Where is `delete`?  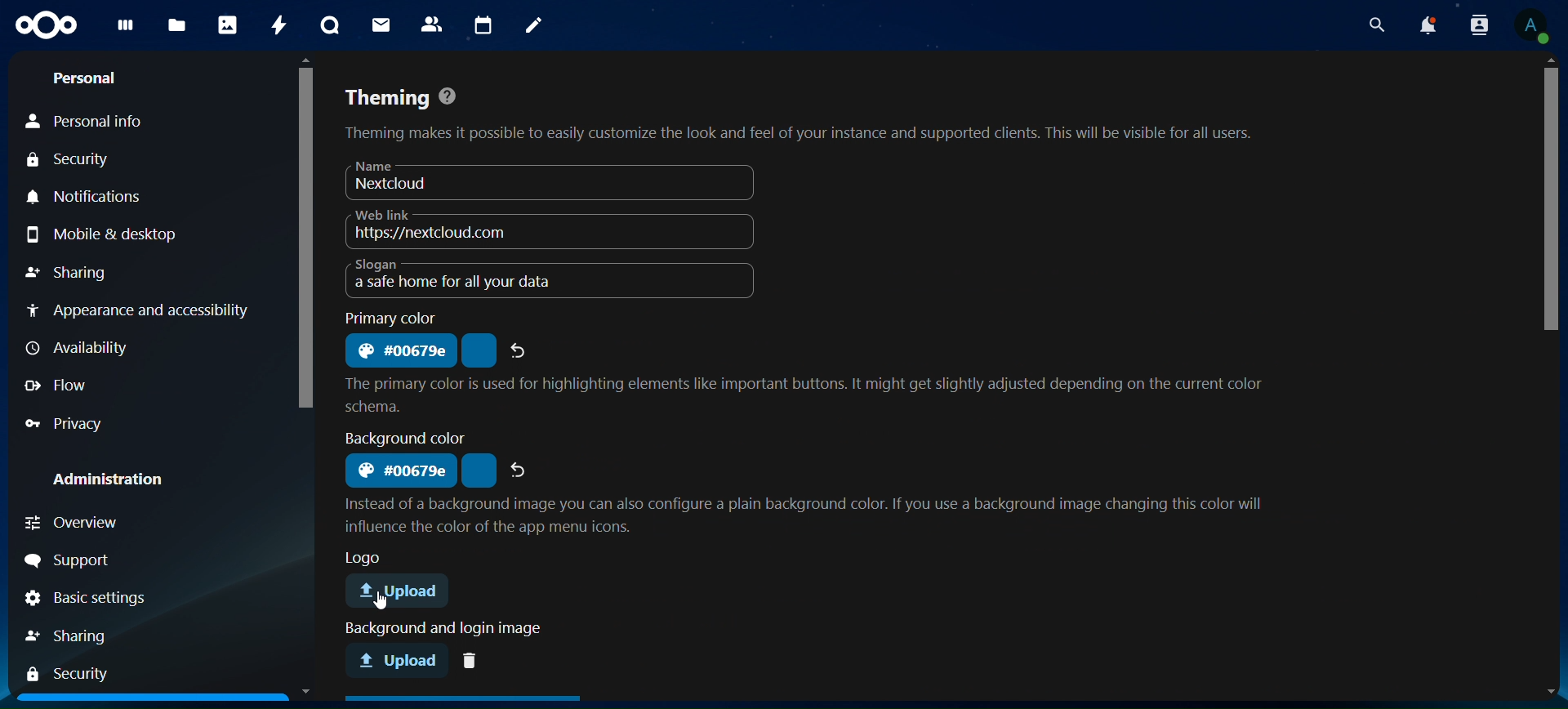 delete is located at coordinates (474, 659).